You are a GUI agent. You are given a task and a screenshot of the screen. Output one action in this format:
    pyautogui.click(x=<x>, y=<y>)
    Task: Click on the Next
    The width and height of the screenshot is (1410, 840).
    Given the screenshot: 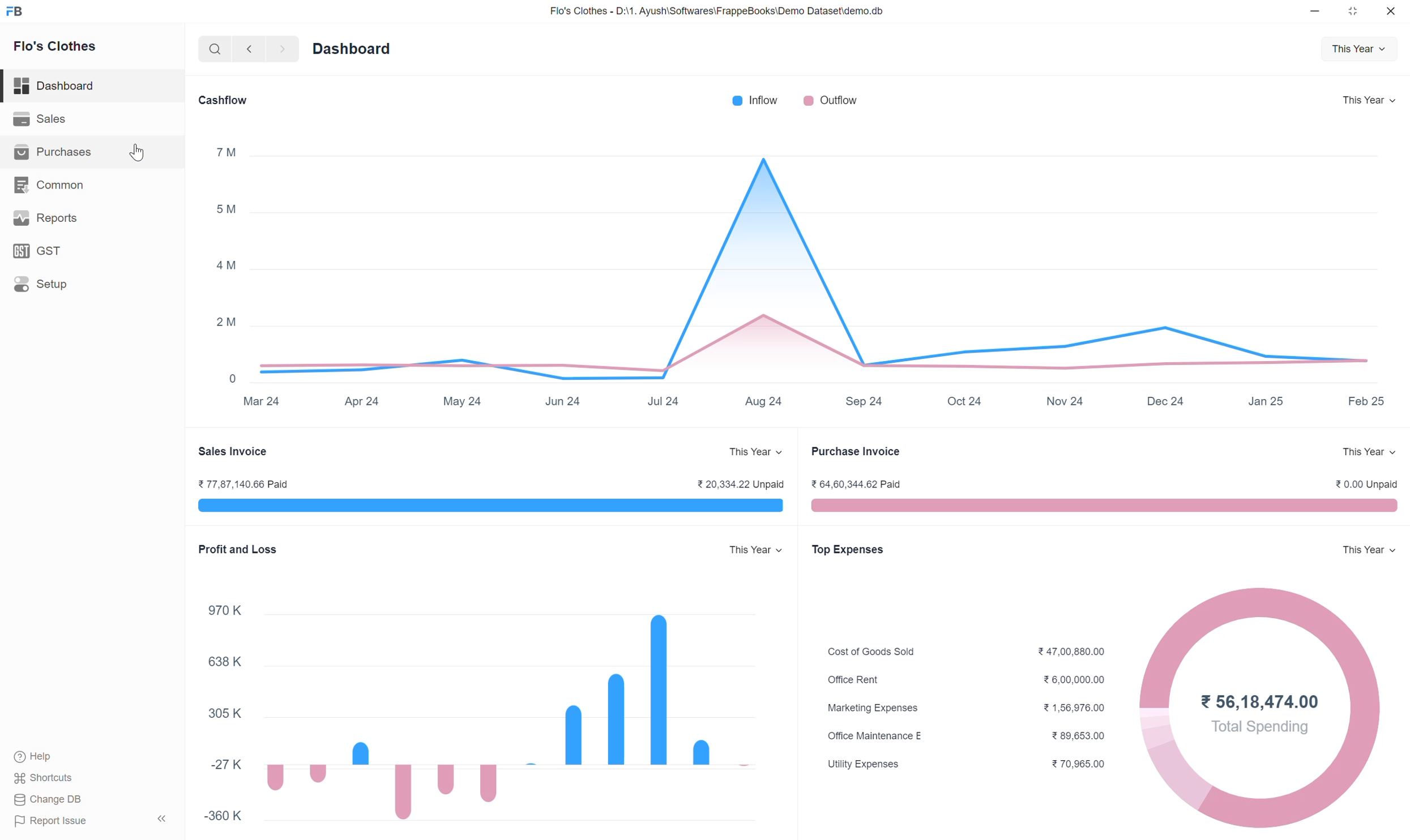 What is the action you would take?
    pyautogui.click(x=283, y=49)
    